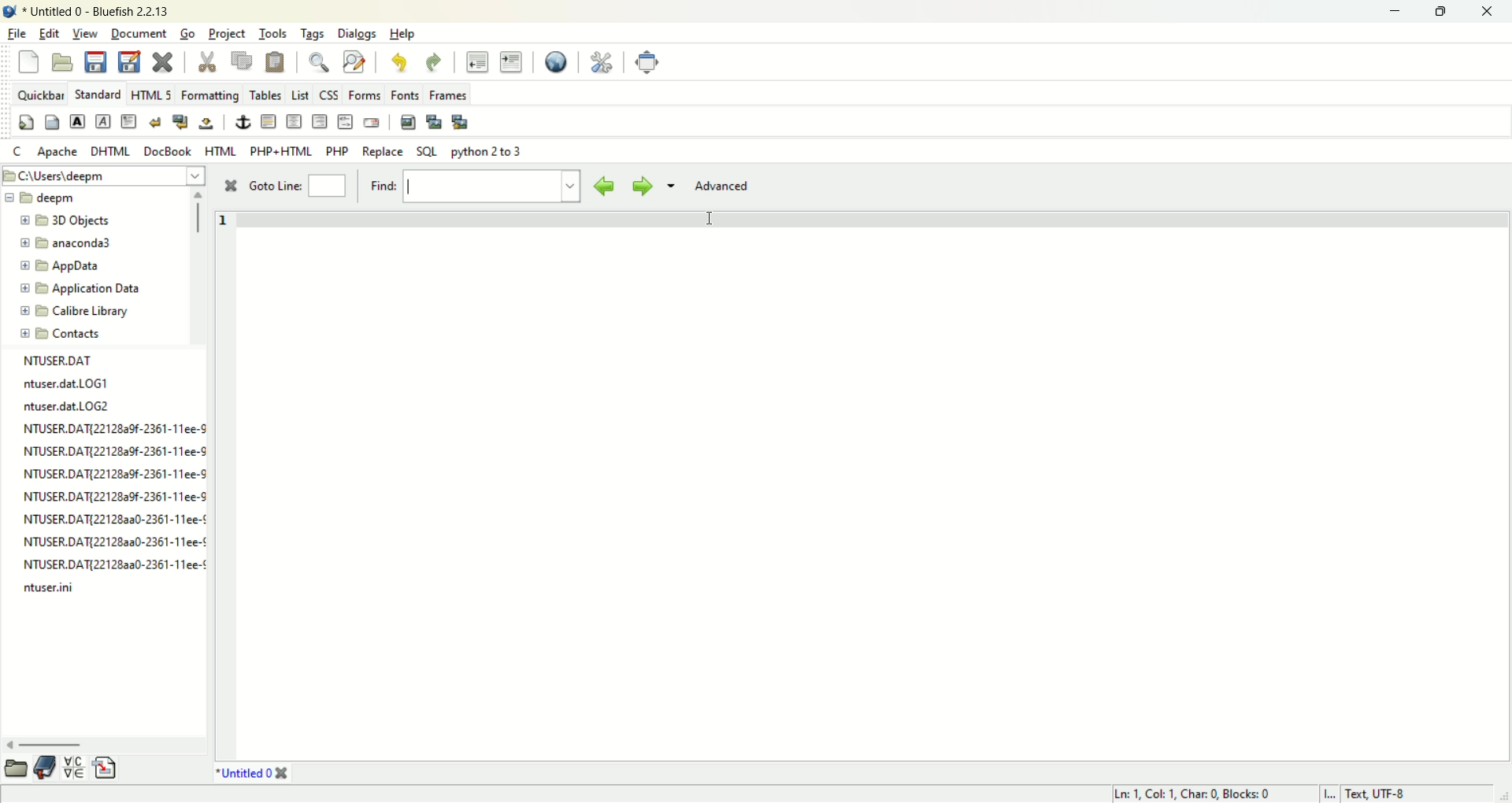 The image size is (1512, 803). What do you see at coordinates (138, 32) in the screenshot?
I see `document` at bounding box center [138, 32].